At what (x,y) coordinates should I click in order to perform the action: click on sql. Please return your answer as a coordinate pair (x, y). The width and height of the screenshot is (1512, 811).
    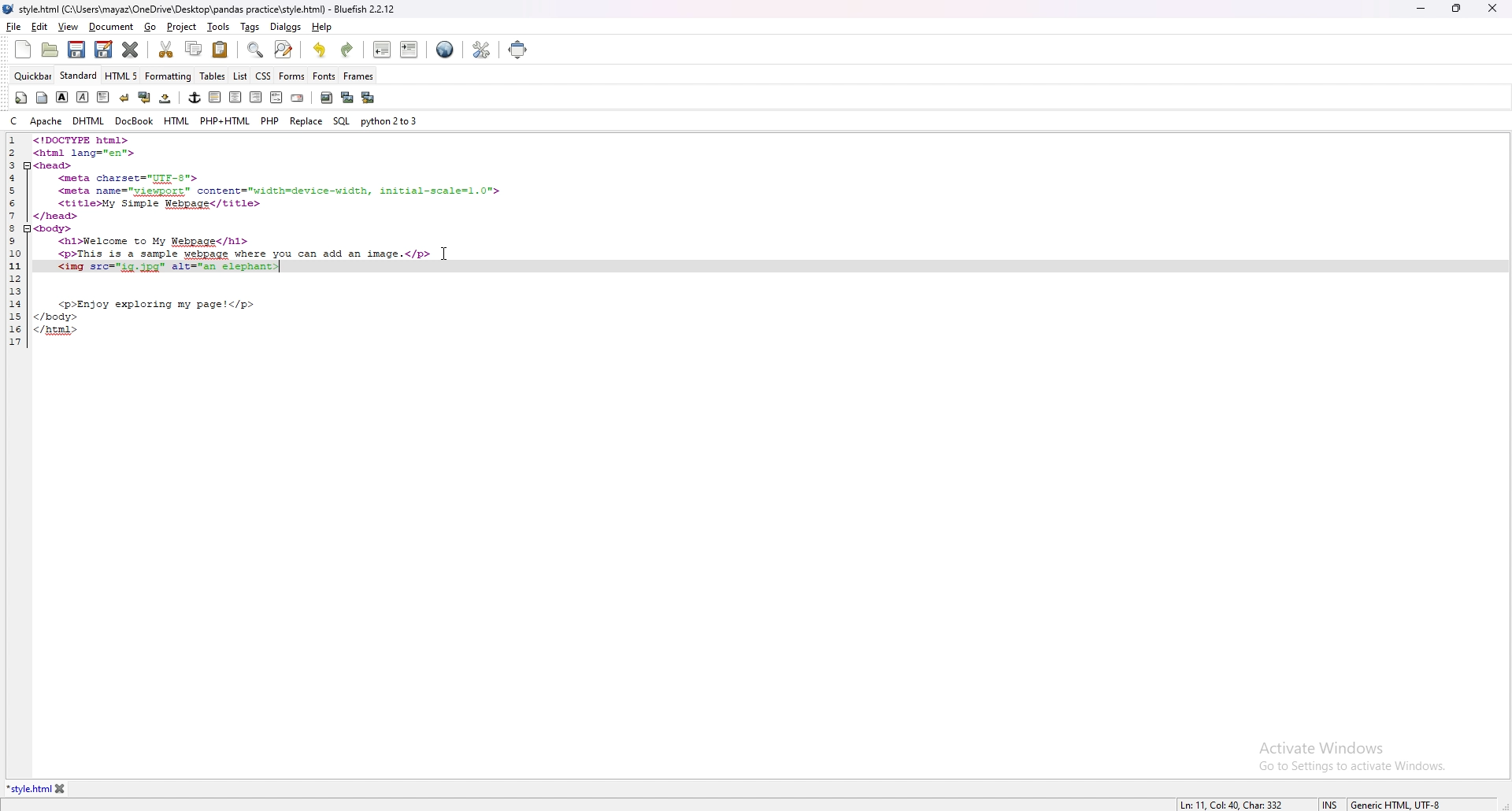
    Looking at the image, I should click on (343, 121).